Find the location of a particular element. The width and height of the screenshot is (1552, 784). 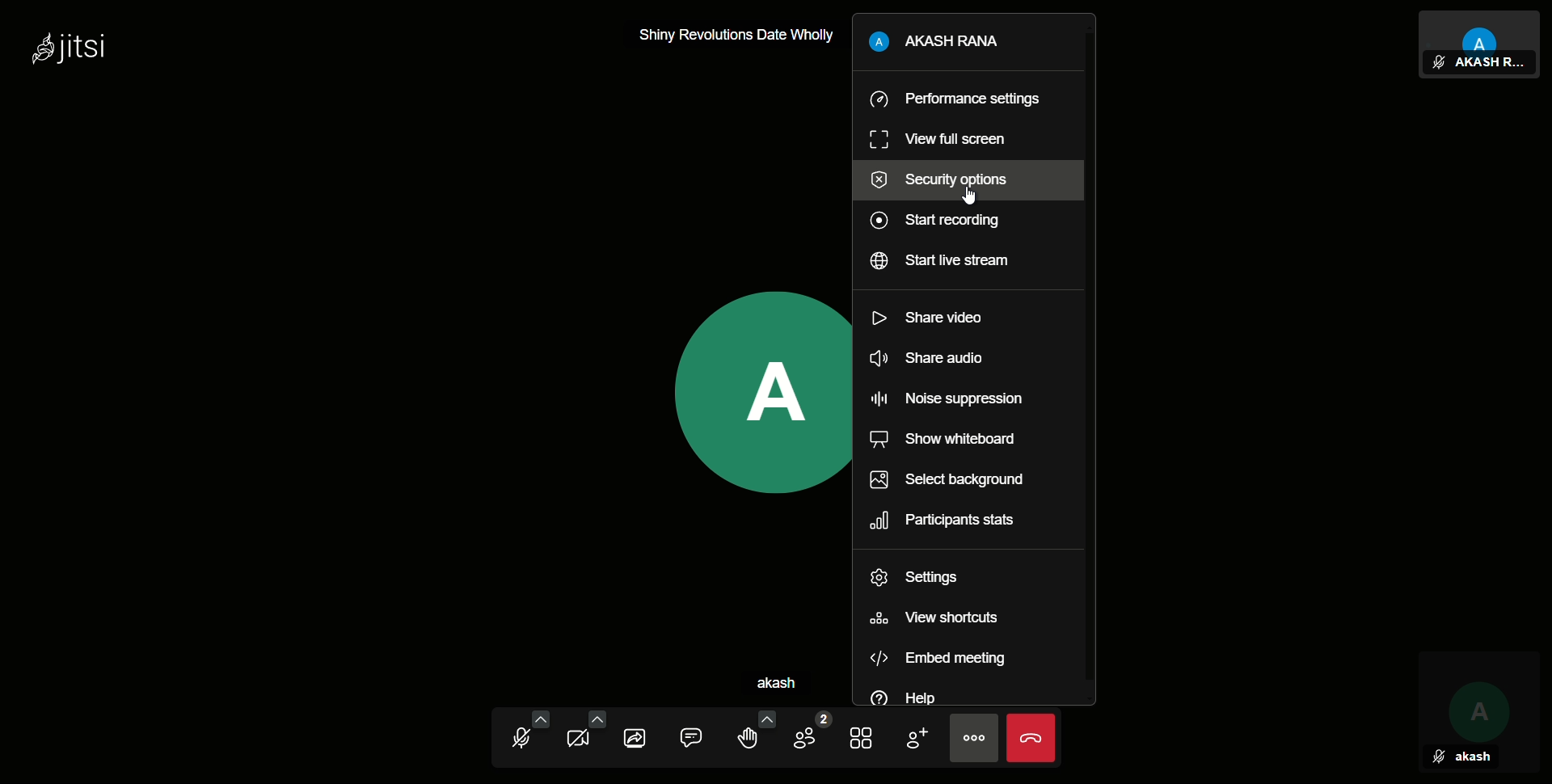

profile icon is located at coordinates (757, 391).